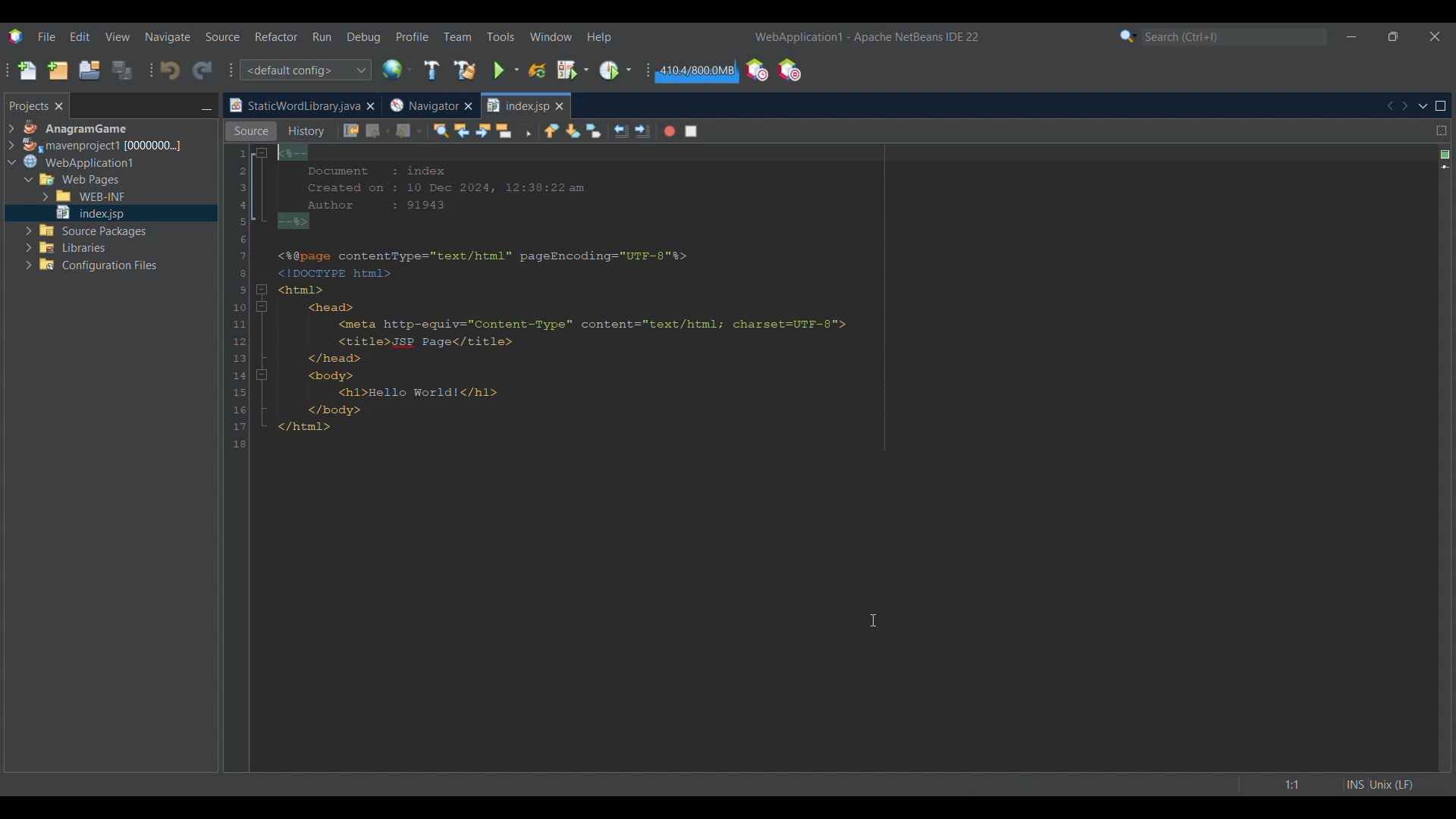 This screenshot has width=1456, height=819. I want to click on Toggle highlight search, so click(504, 130).